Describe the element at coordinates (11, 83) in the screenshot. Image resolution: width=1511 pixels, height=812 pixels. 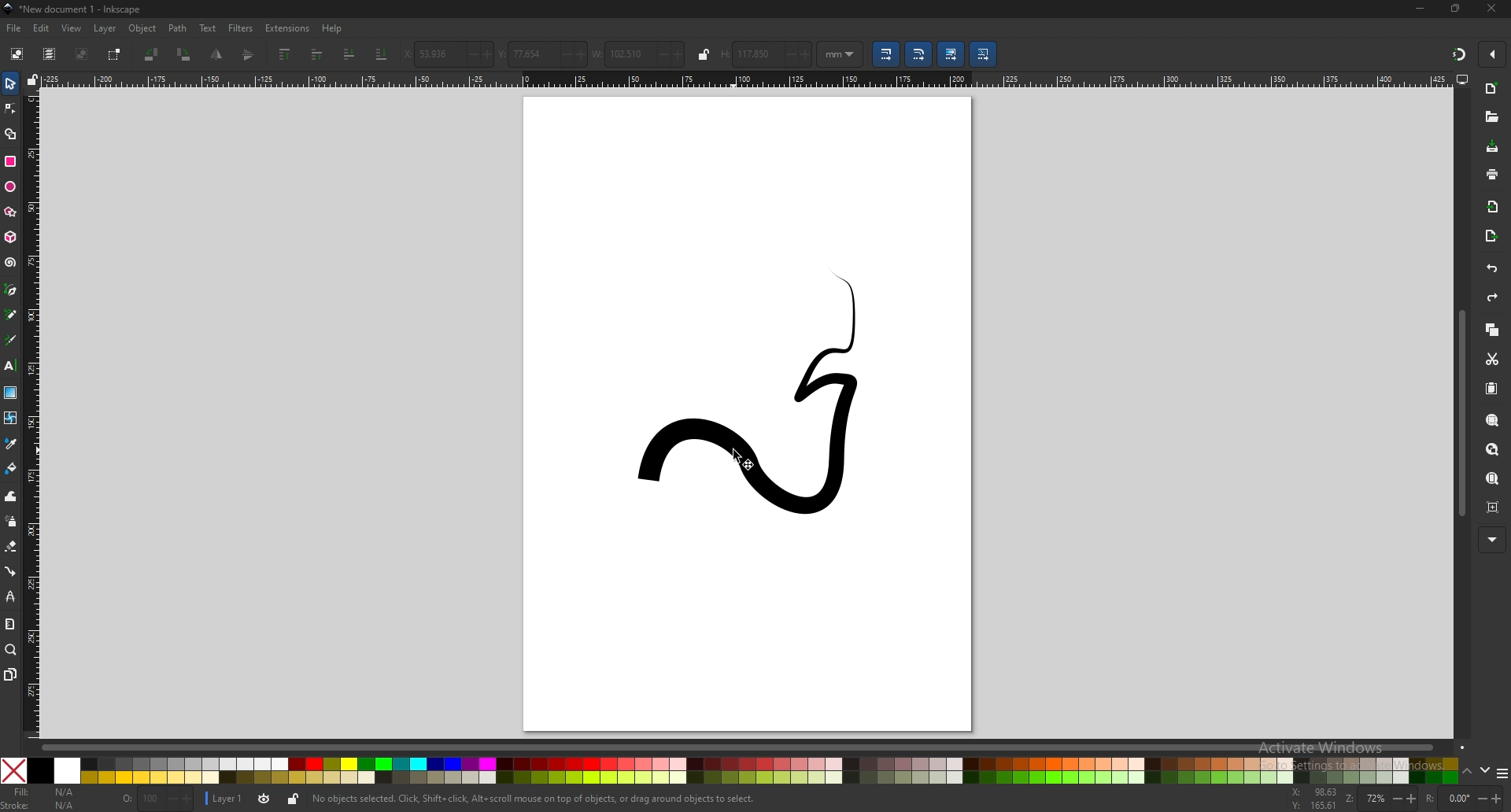
I see `selector` at that location.